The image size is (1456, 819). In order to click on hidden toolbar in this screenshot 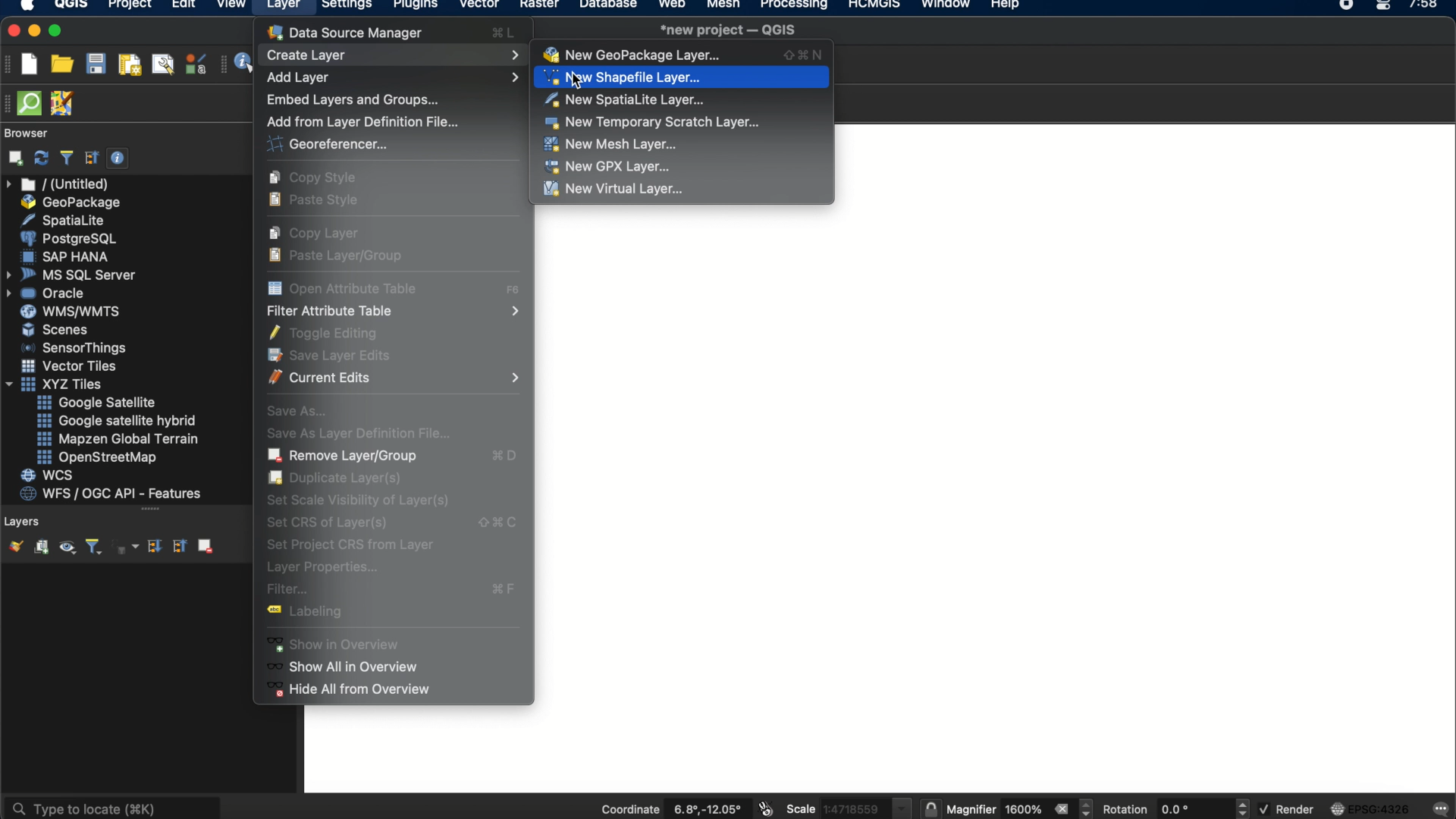, I will do `click(9, 102)`.